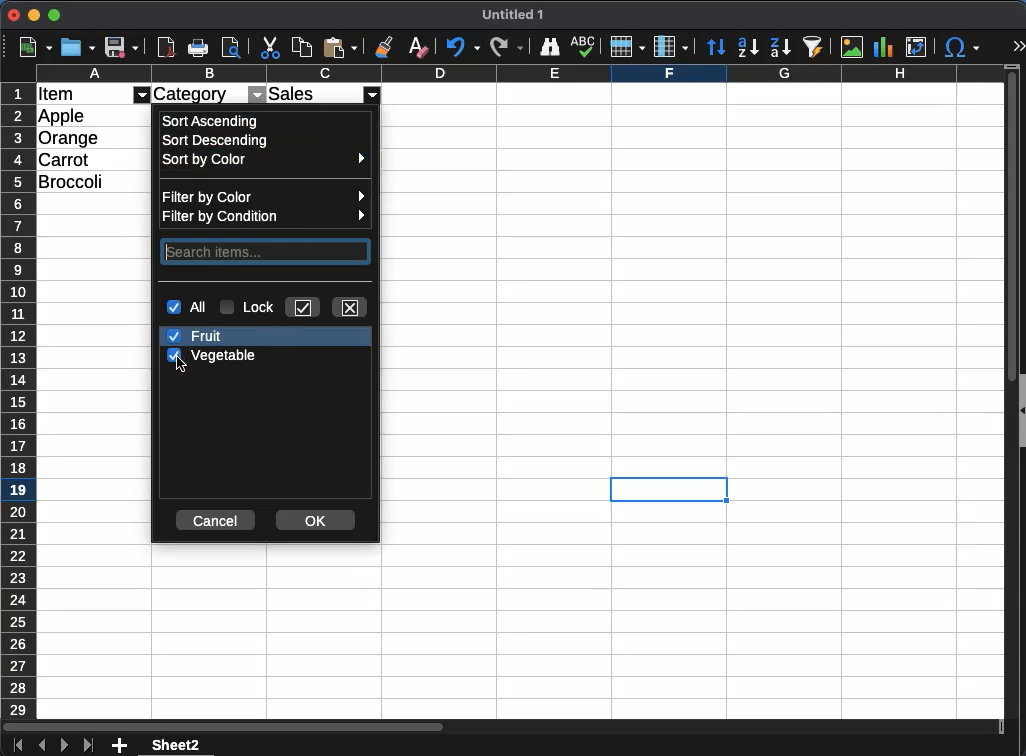  Describe the element at coordinates (231, 46) in the screenshot. I see `print` at that location.